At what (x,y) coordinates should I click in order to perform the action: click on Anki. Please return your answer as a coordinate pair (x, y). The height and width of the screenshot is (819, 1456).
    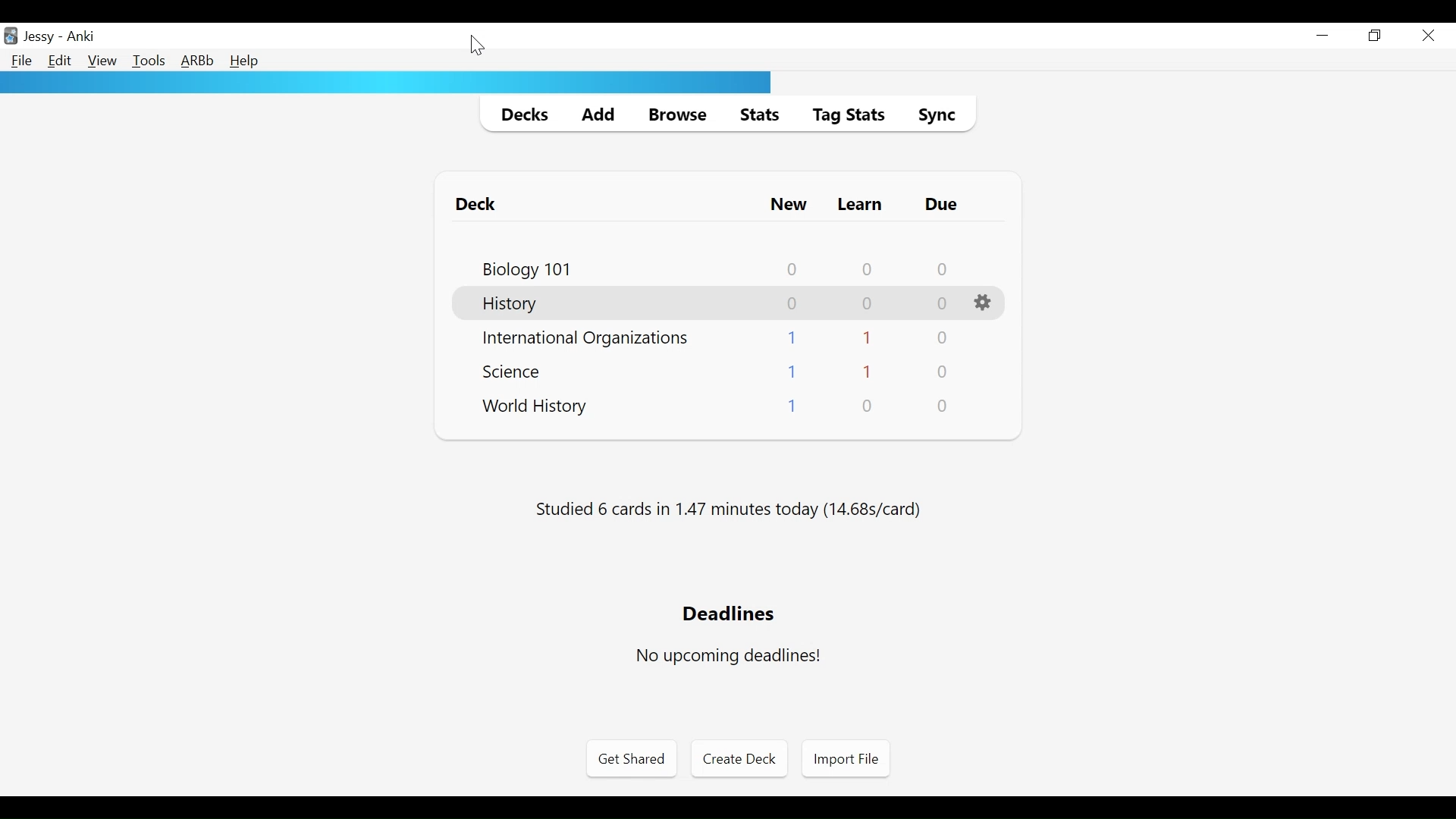
    Looking at the image, I should click on (80, 37).